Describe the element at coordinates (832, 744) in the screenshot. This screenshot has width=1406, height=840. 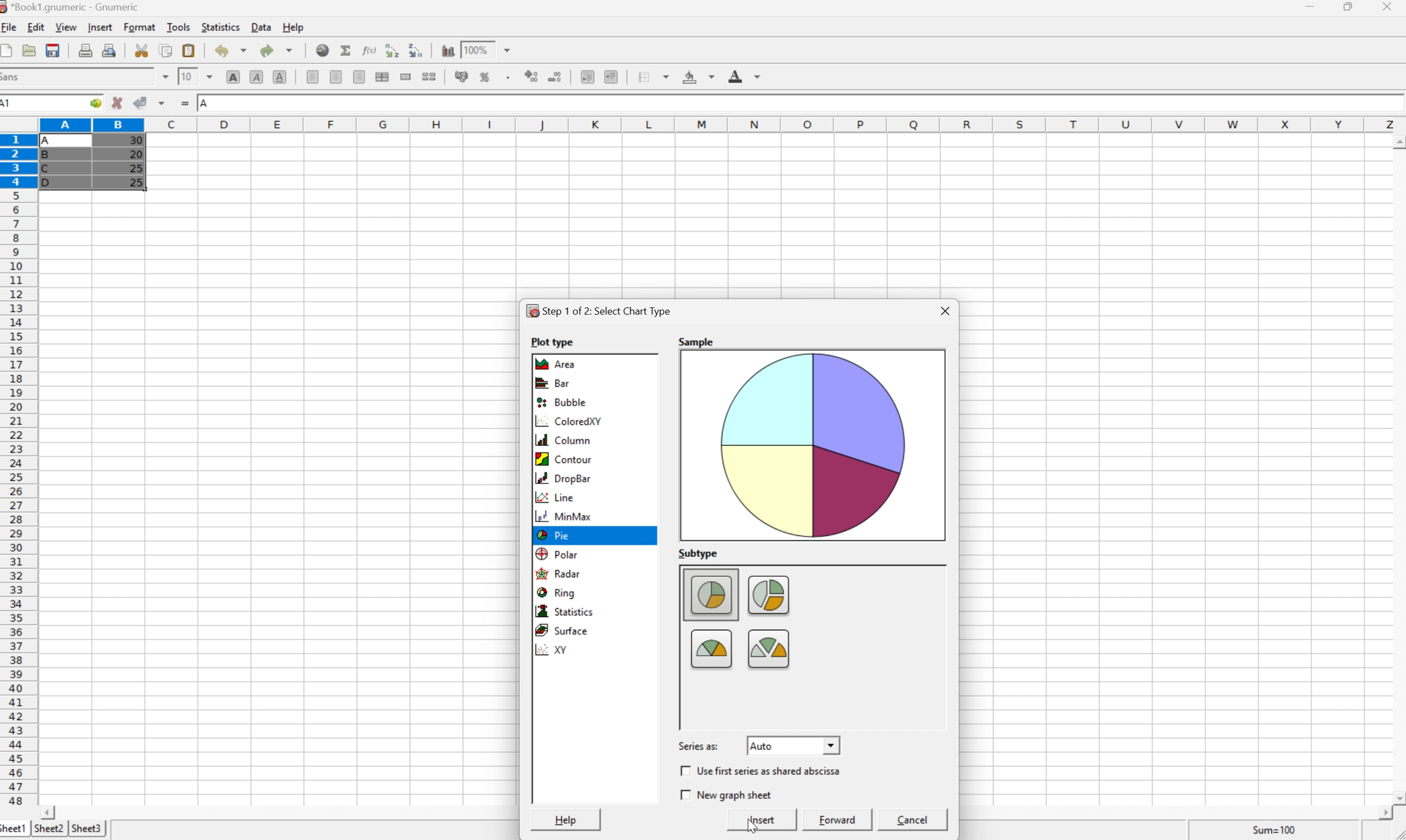
I see `Drop Down` at that location.